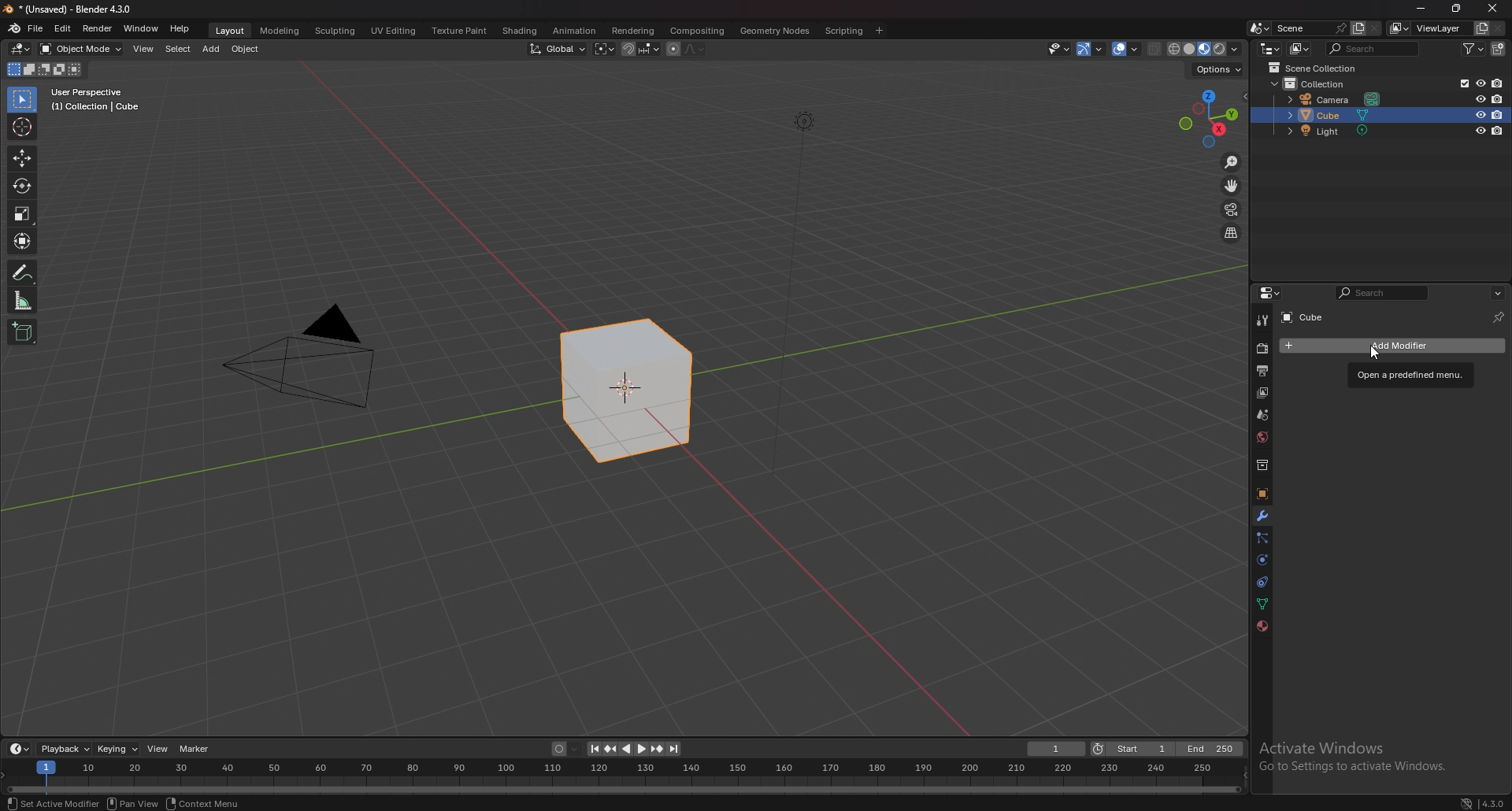 The width and height of the screenshot is (1512, 811). I want to click on scene, so click(1309, 28).